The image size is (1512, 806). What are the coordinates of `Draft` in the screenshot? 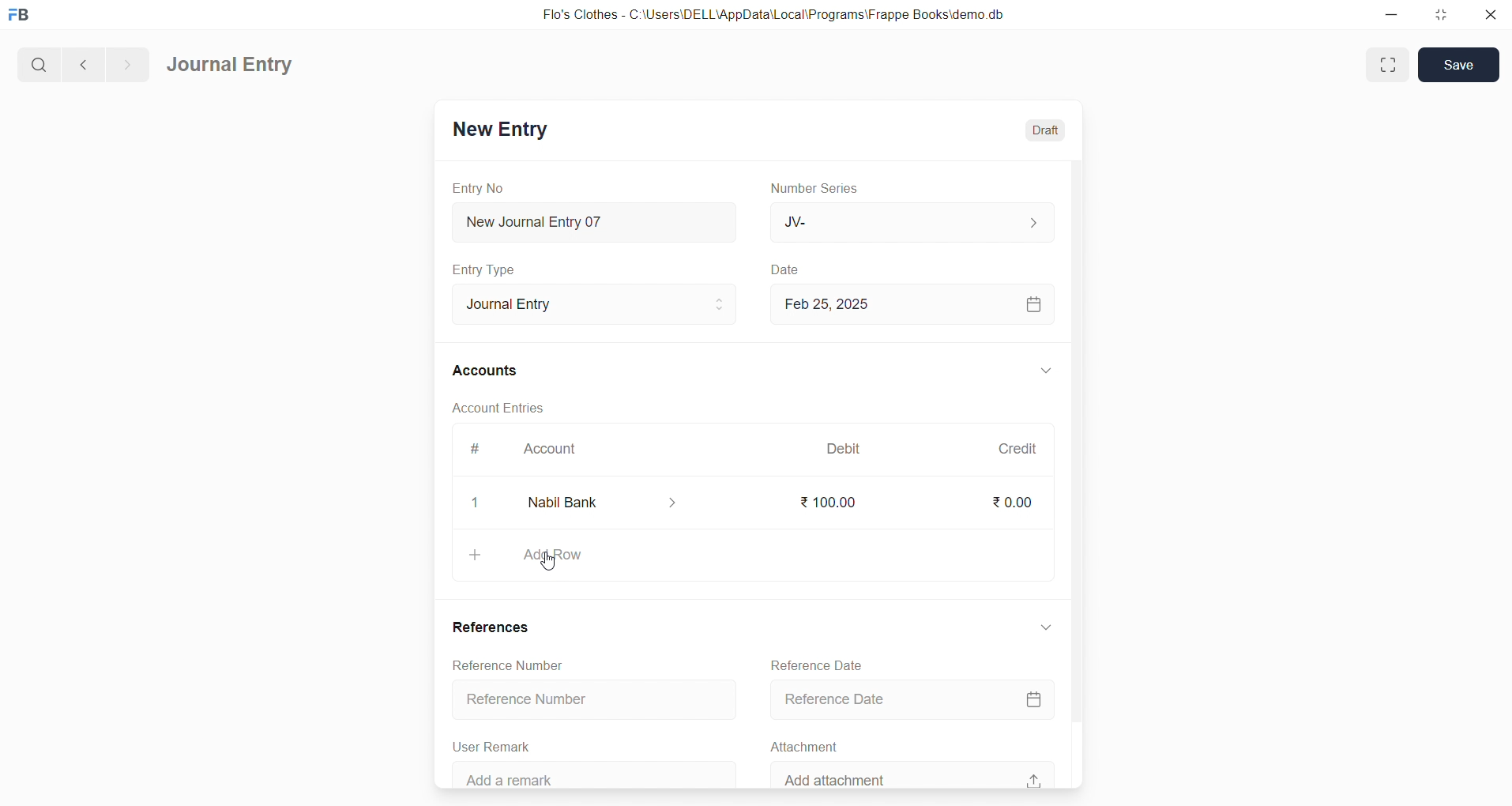 It's located at (1046, 128).